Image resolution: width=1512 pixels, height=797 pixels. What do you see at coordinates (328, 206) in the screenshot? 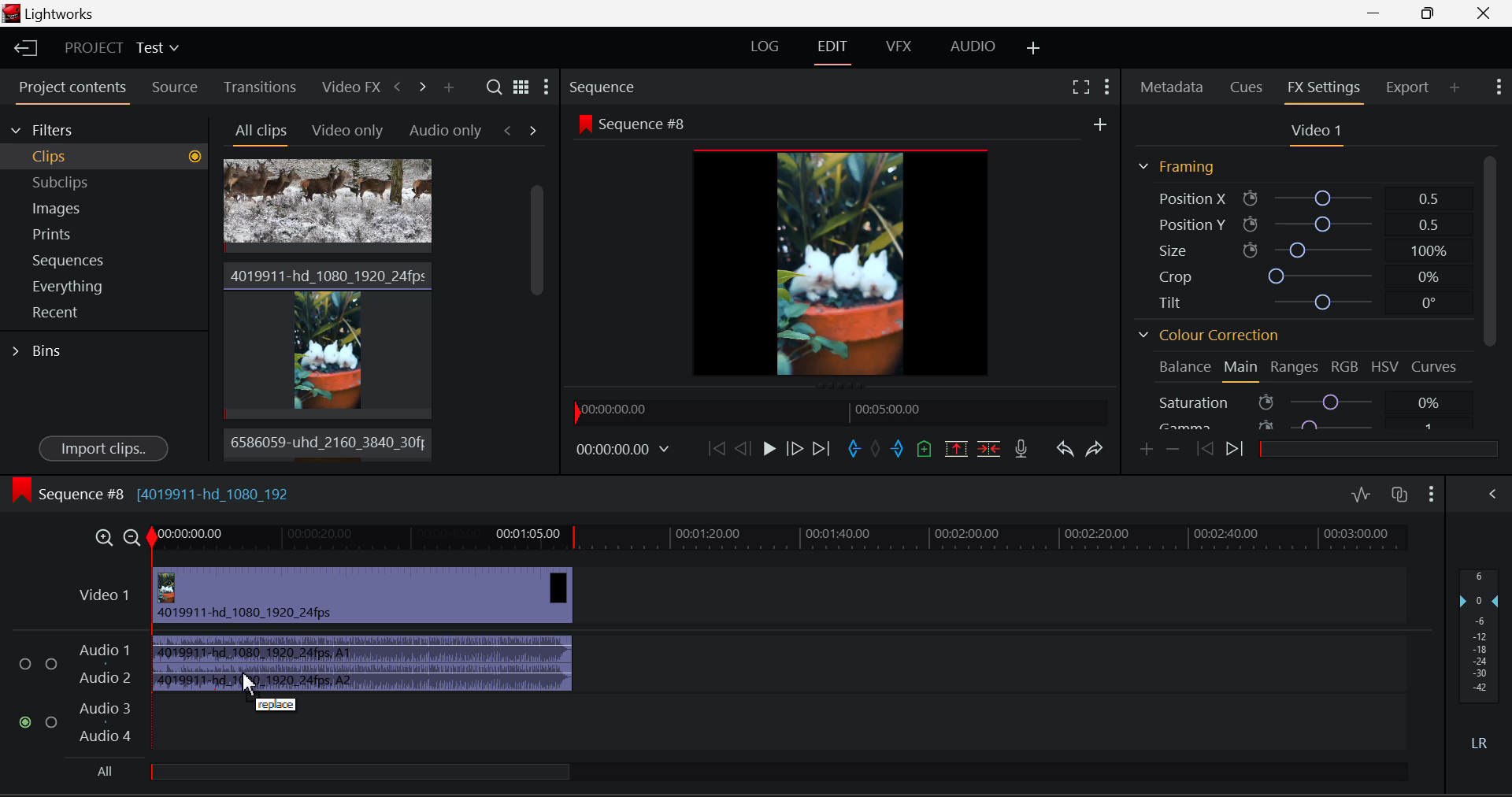
I see `File 1` at bounding box center [328, 206].